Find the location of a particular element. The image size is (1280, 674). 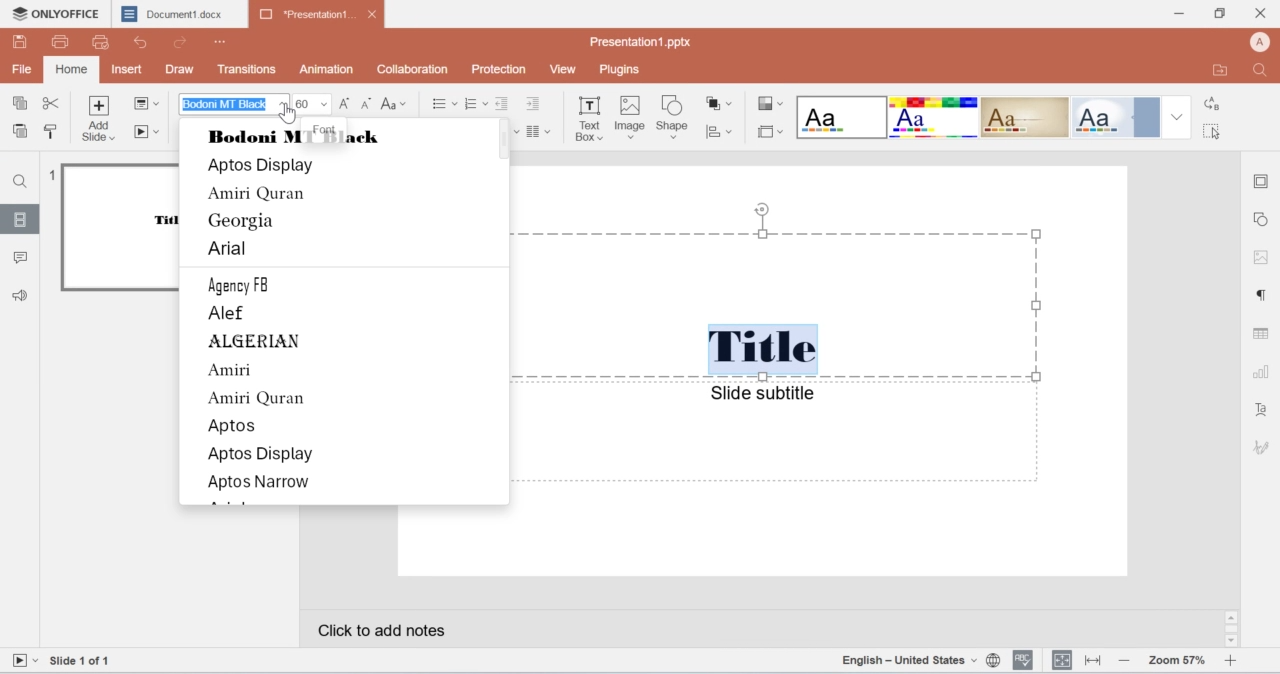

canvas is located at coordinates (818, 372).